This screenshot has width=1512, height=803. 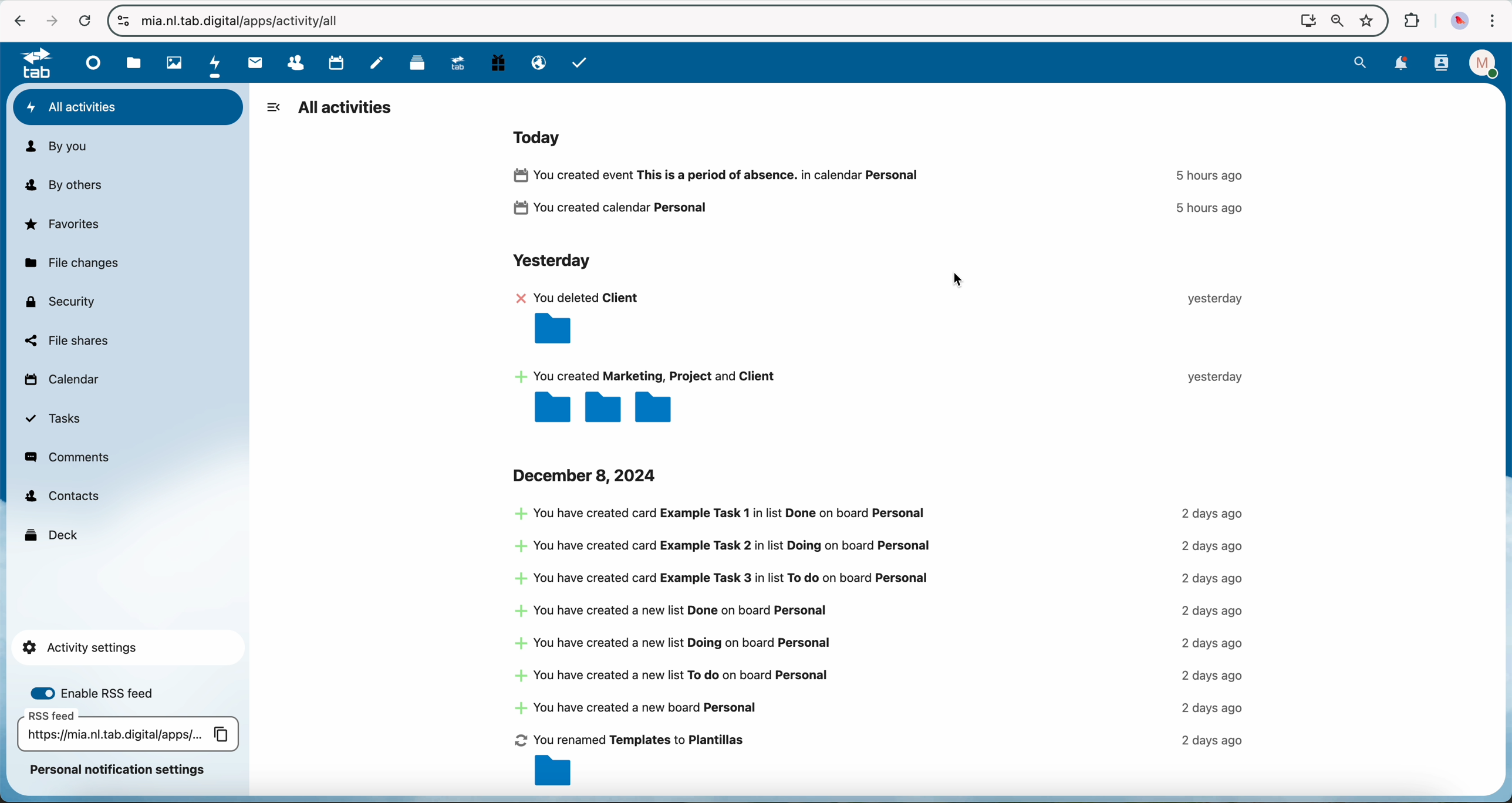 What do you see at coordinates (497, 63) in the screenshot?
I see `free trial` at bounding box center [497, 63].